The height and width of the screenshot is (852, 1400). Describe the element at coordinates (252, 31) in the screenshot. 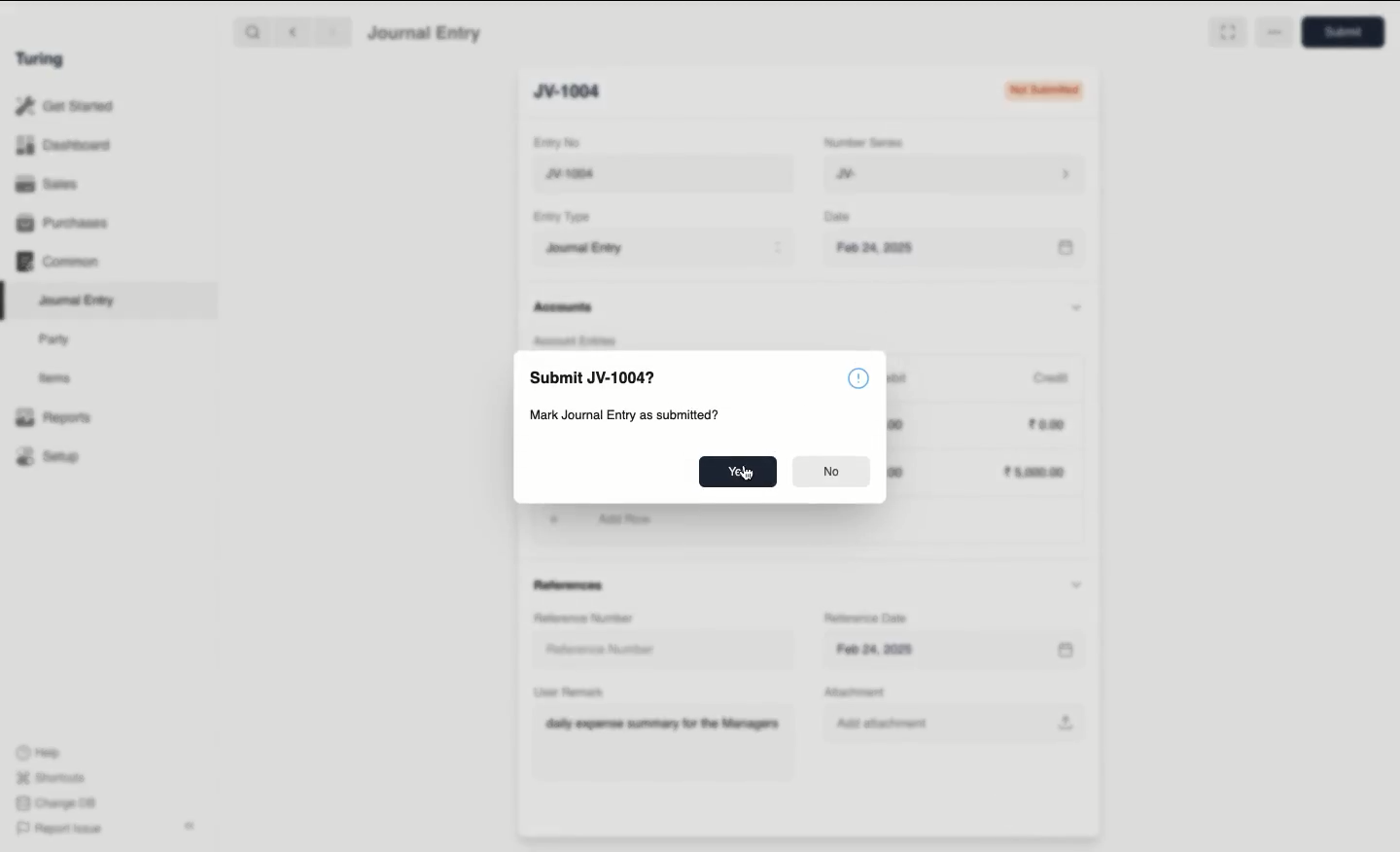

I see `Search` at that location.